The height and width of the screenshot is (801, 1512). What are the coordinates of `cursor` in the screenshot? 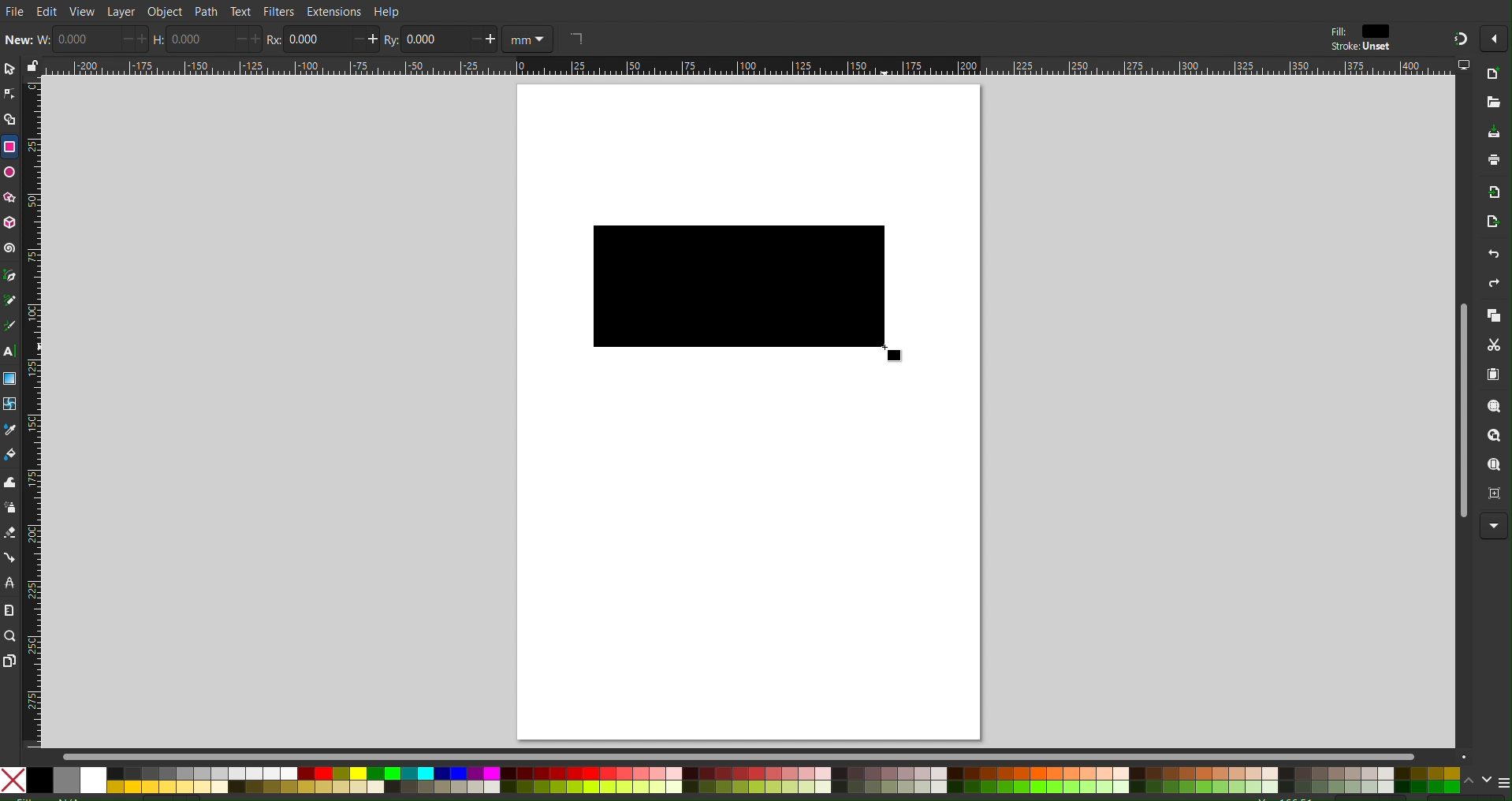 It's located at (903, 356).